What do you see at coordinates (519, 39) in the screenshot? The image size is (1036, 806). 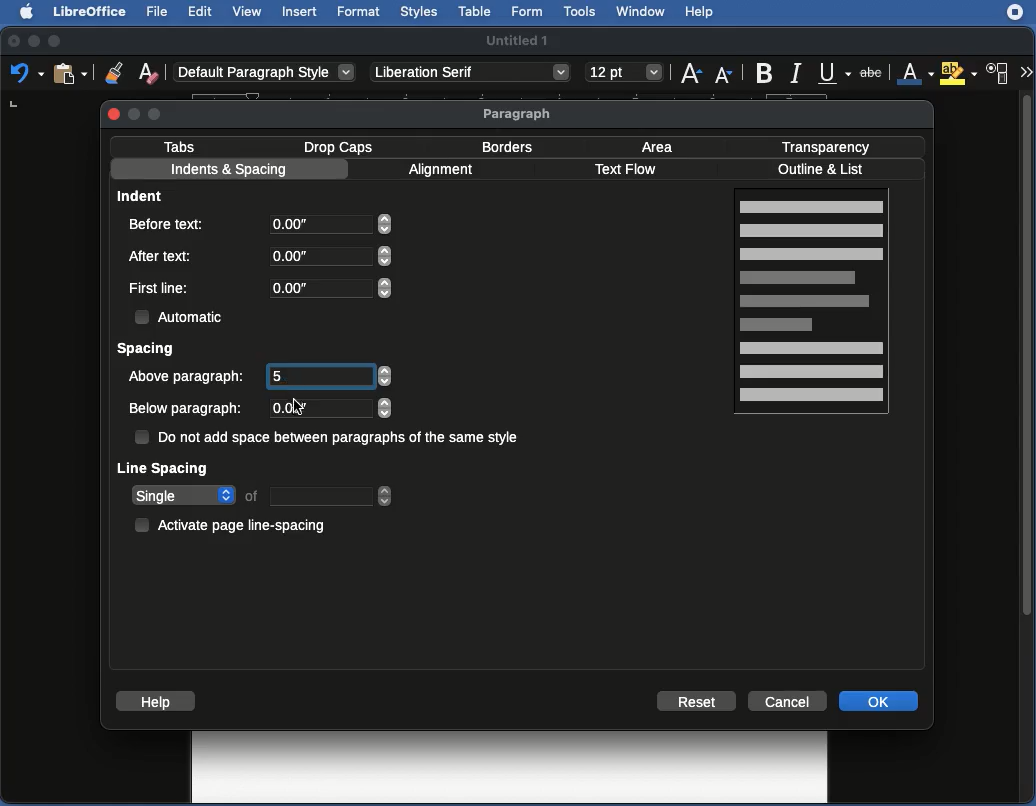 I see `Untitled 1` at bounding box center [519, 39].